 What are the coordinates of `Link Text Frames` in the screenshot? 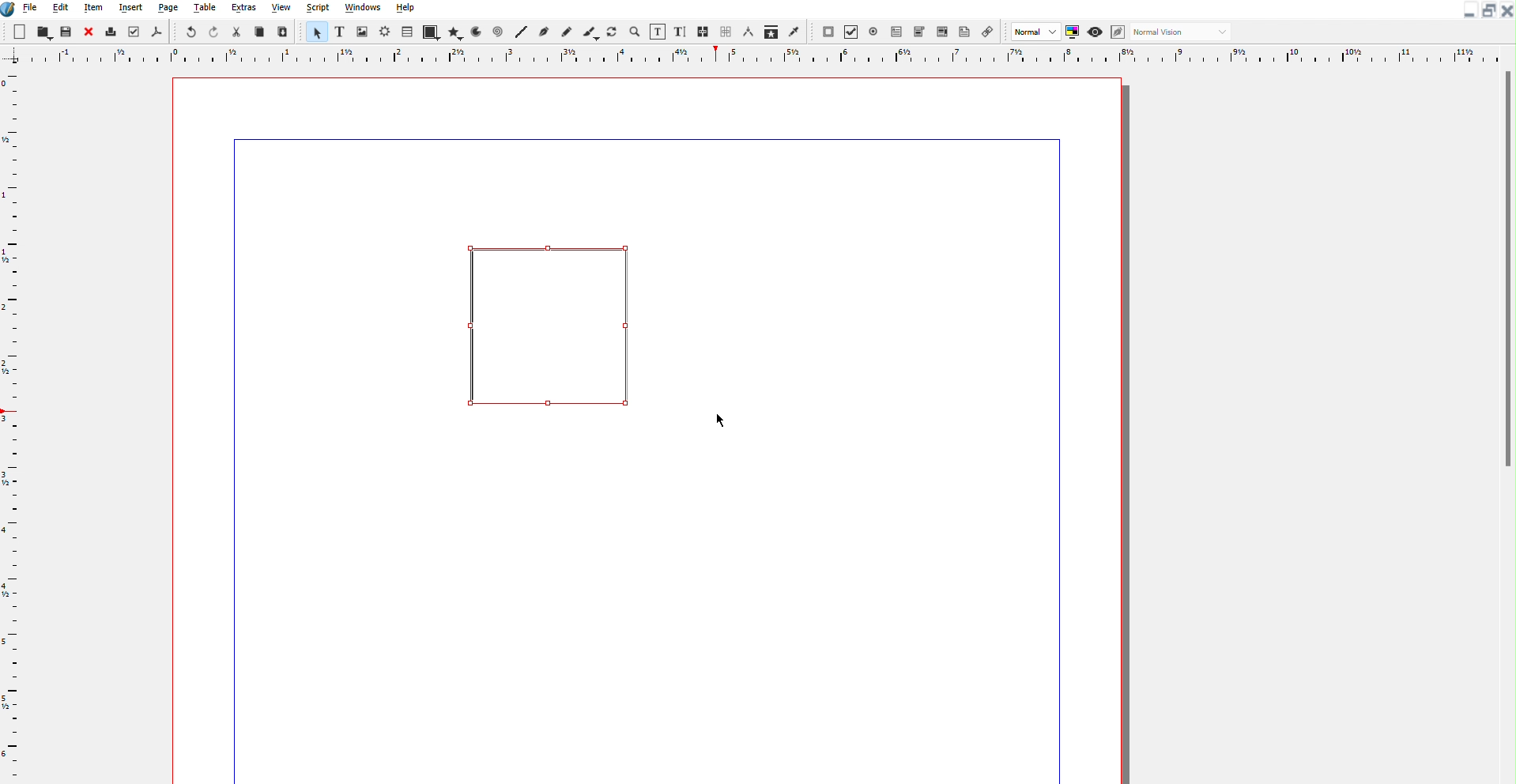 It's located at (715, 31).